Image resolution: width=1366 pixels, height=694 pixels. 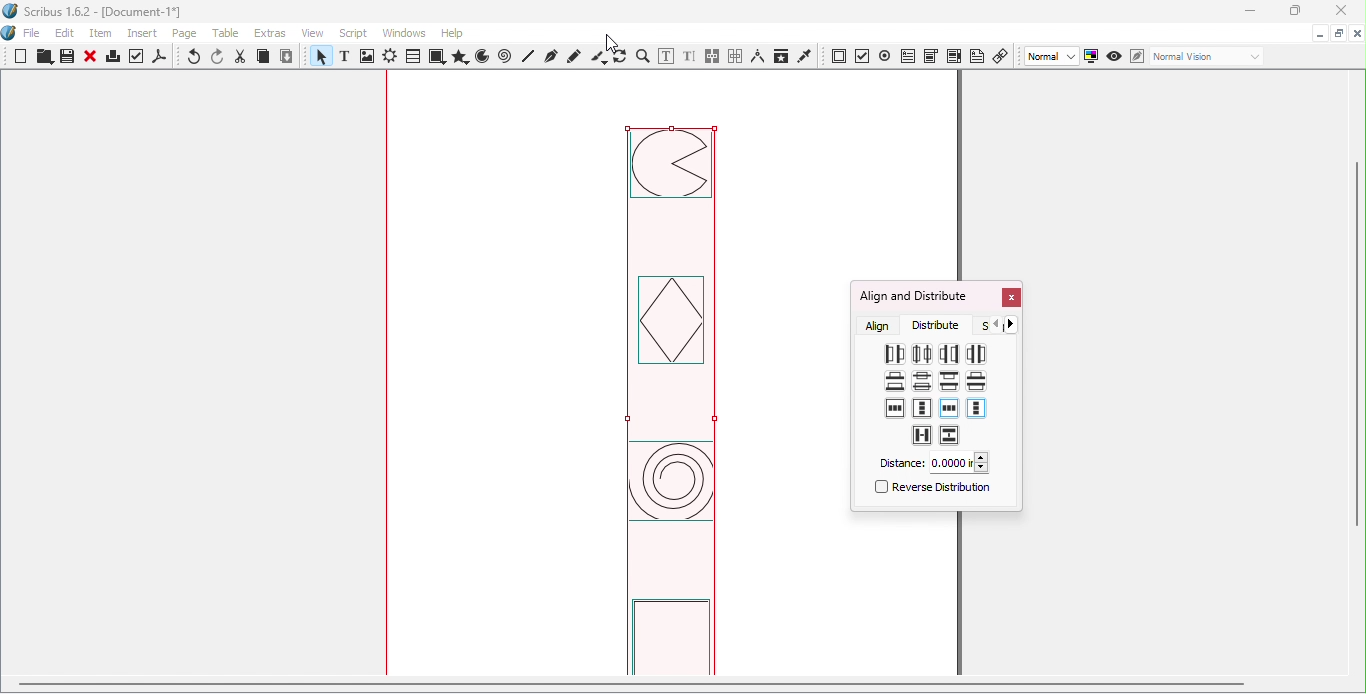 I want to click on PDF radio button, so click(x=885, y=55).